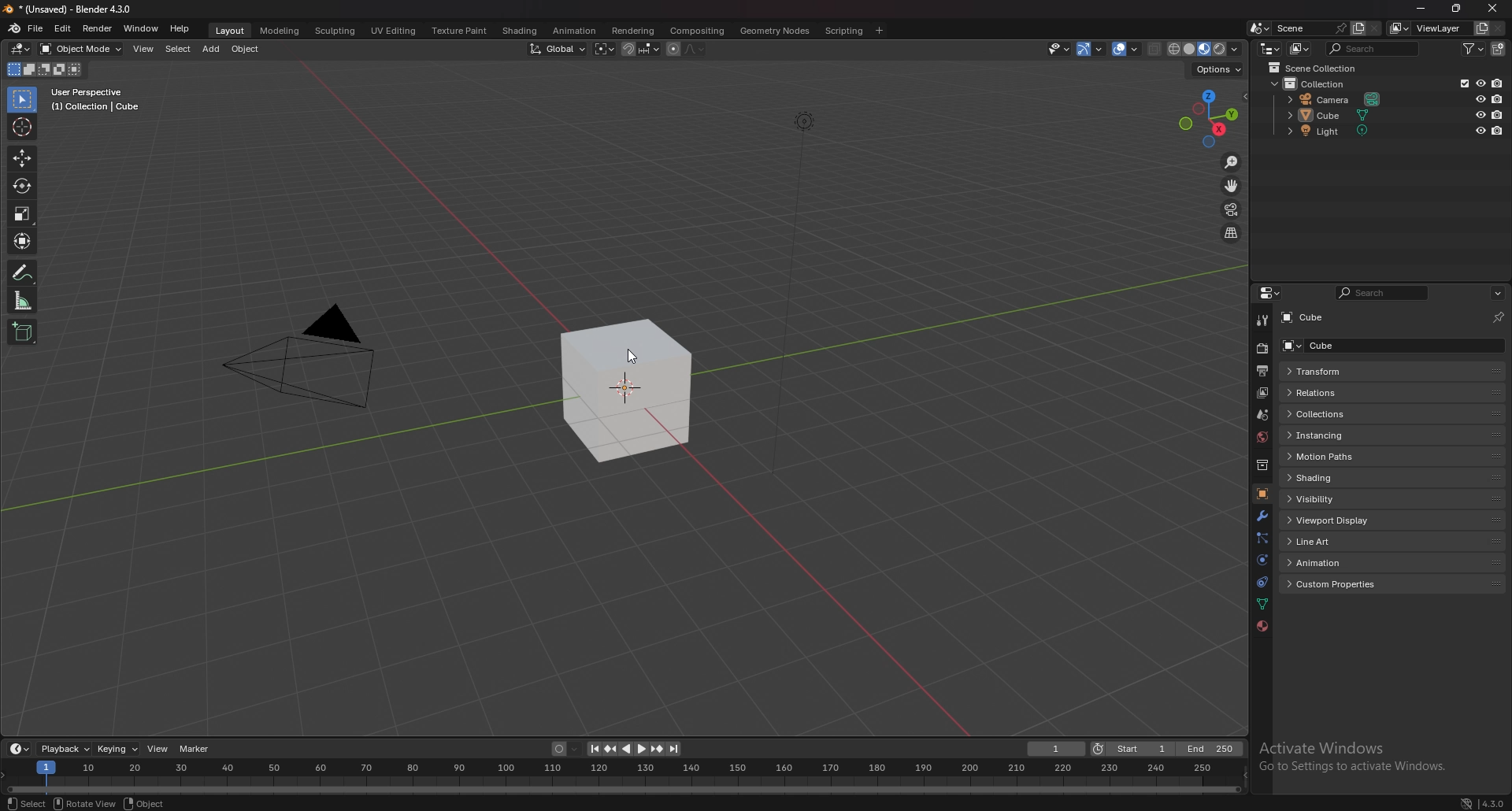 Image resolution: width=1512 pixels, height=811 pixels. What do you see at coordinates (1262, 516) in the screenshot?
I see `modifier` at bounding box center [1262, 516].